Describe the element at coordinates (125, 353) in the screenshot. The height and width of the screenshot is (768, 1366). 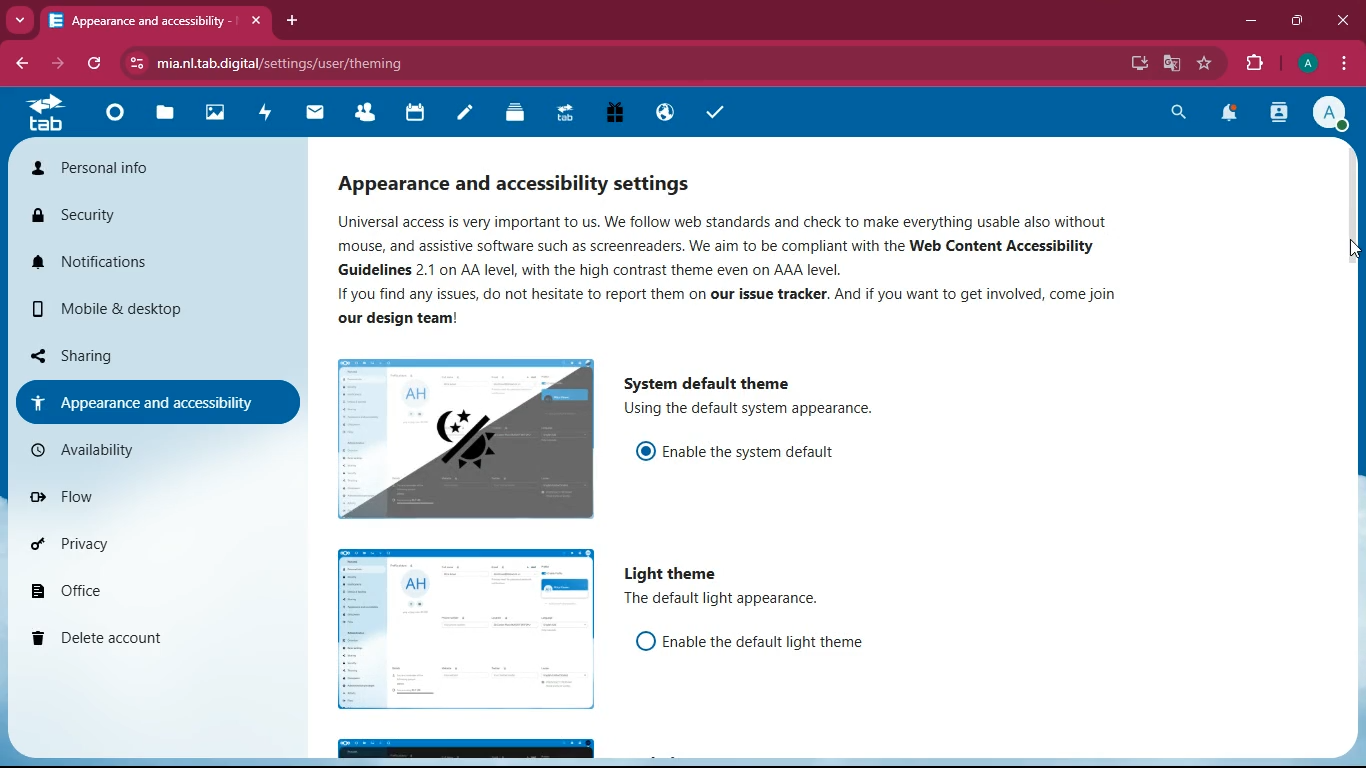
I see `sharing` at that location.